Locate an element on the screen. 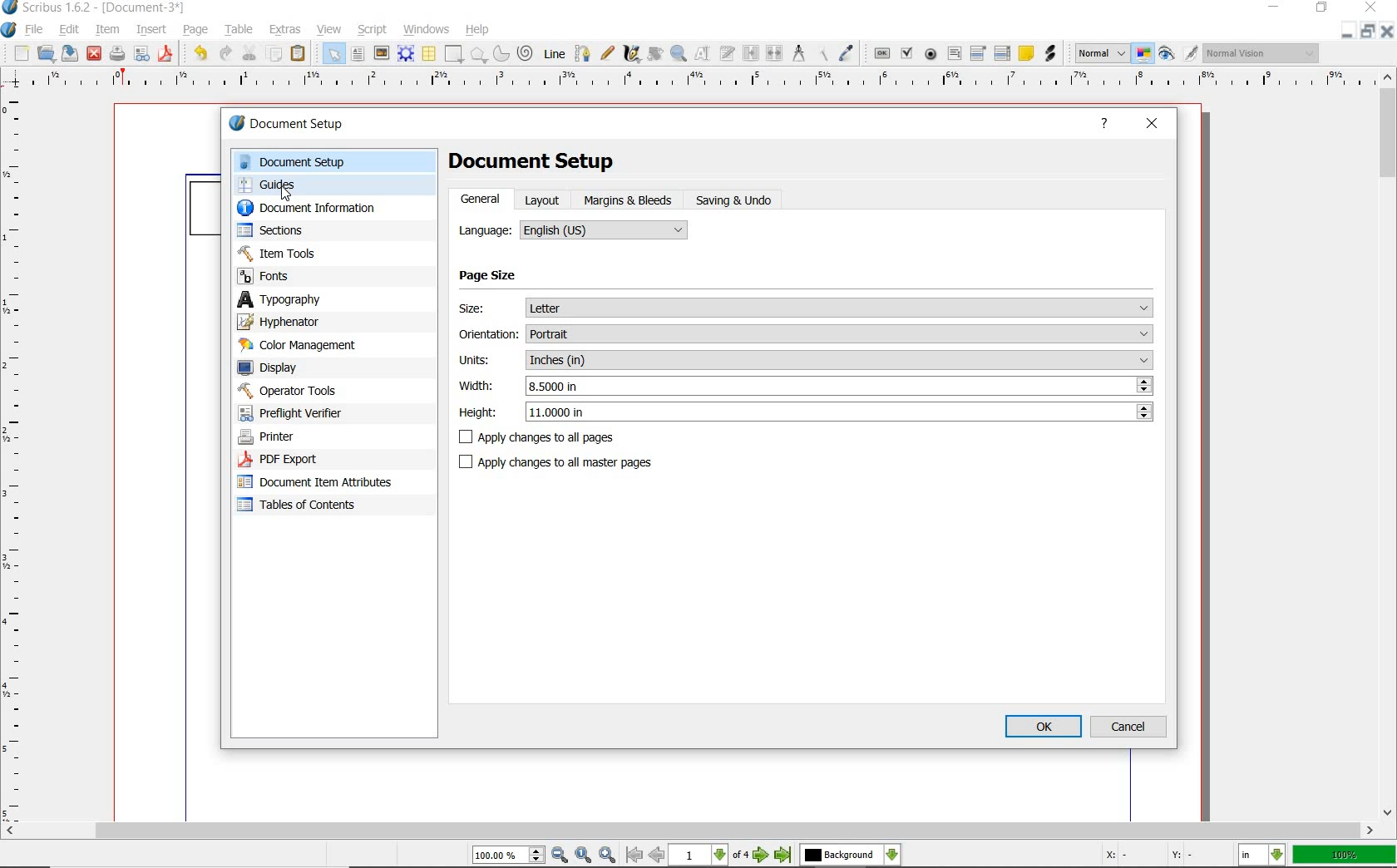  display is located at coordinates (324, 369).